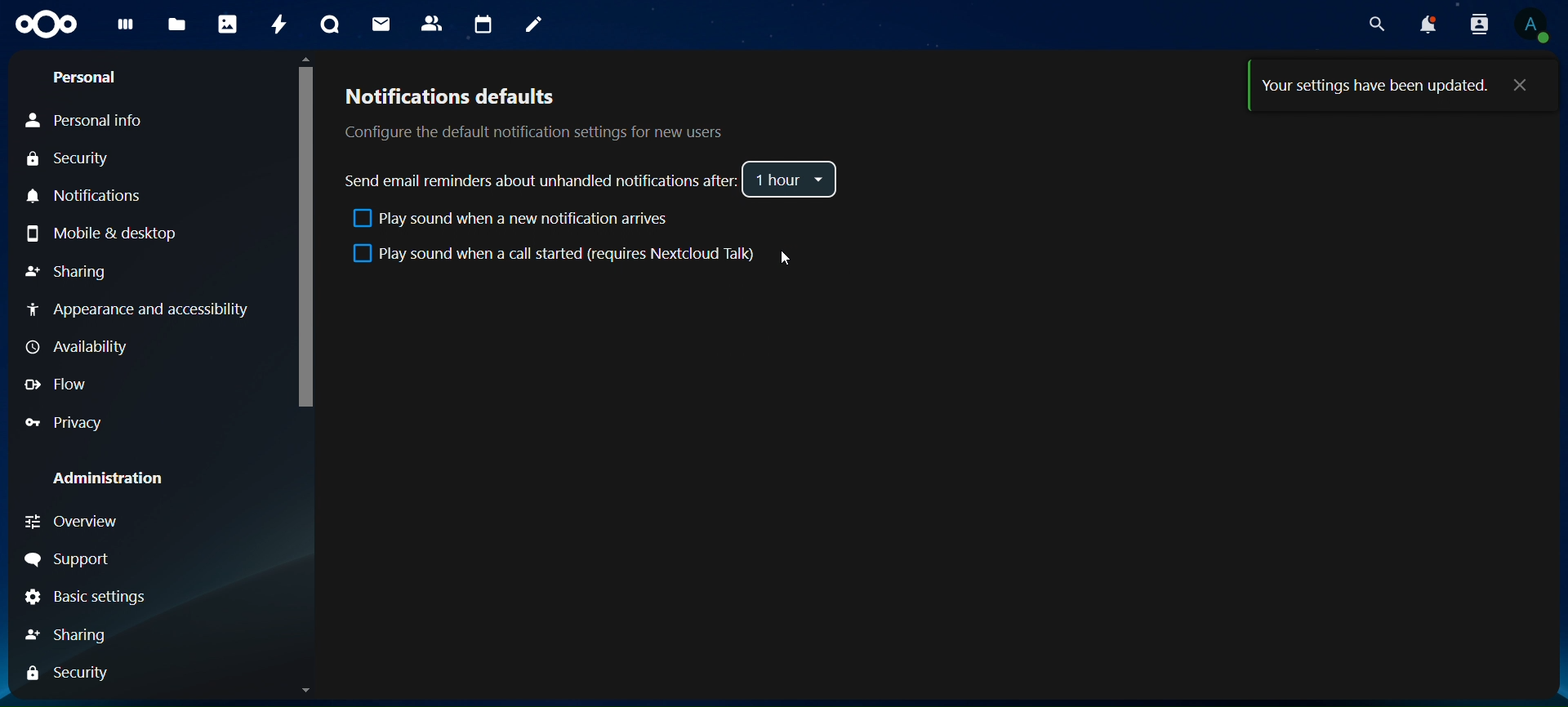 The image size is (1568, 707). Describe the element at coordinates (91, 196) in the screenshot. I see `Notifications` at that location.